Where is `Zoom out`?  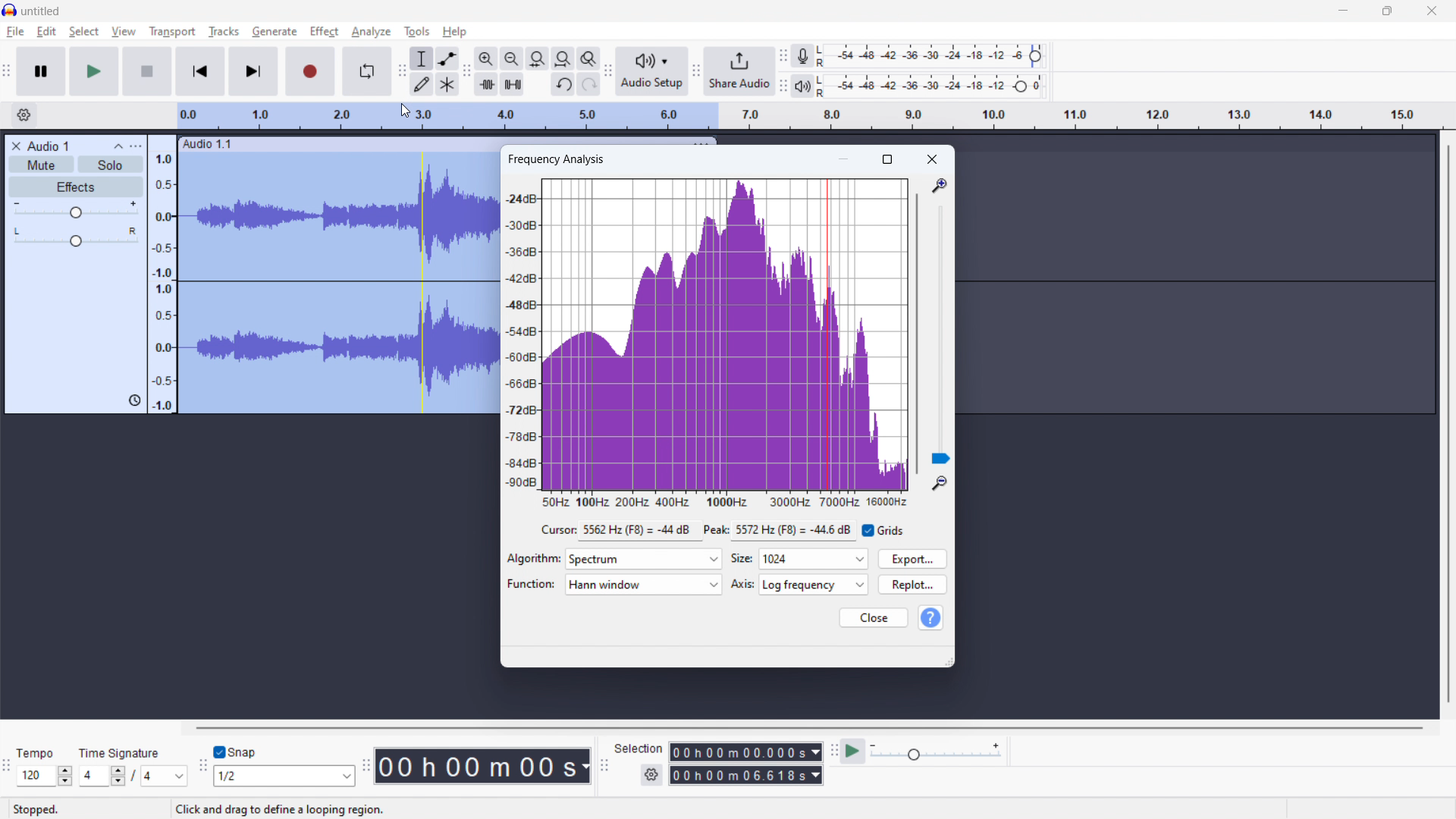
Zoom out is located at coordinates (940, 484).